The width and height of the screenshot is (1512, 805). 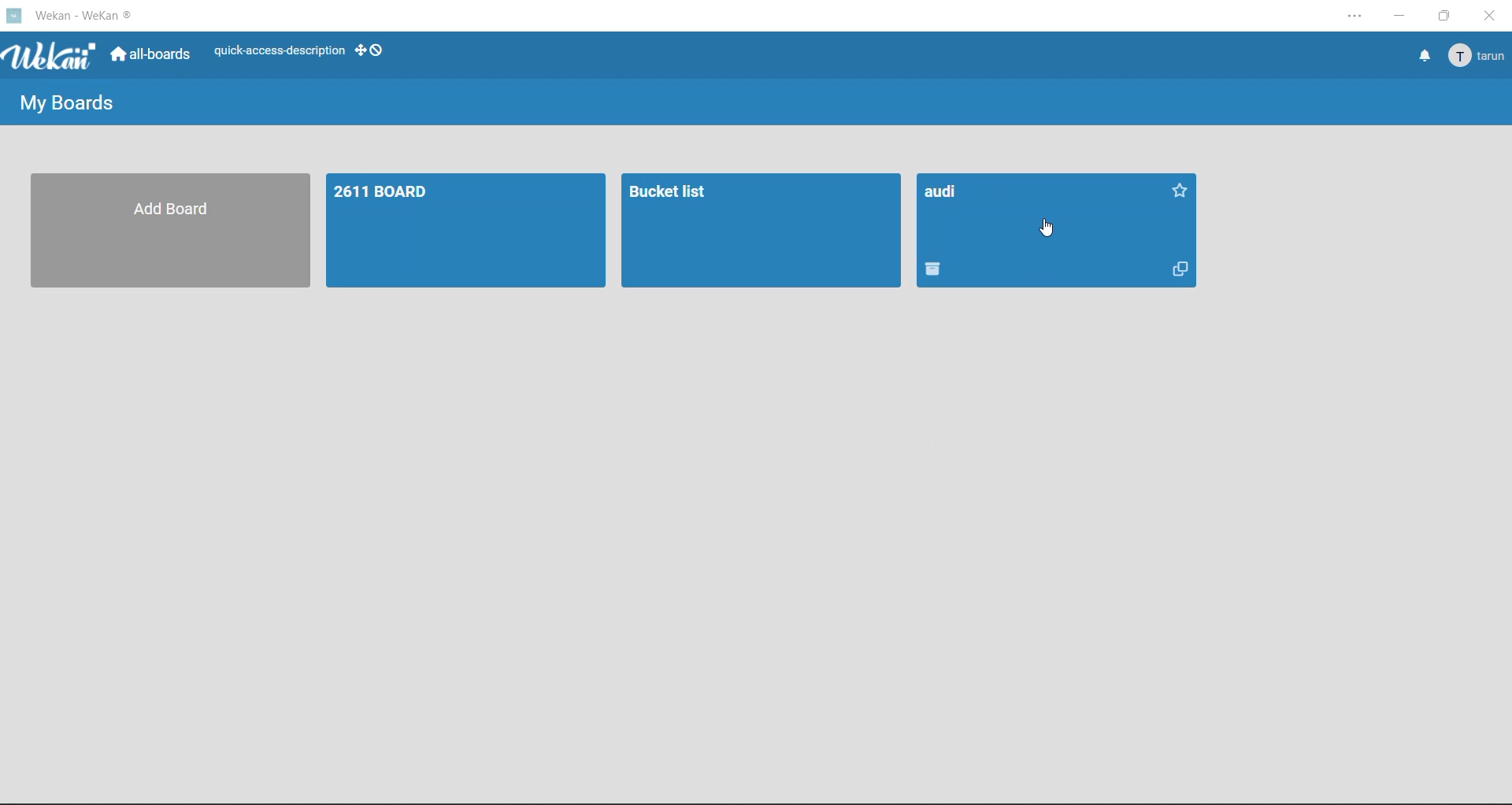 What do you see at coordinates (1180, 268) in the screenshot?
I see `Copy` at bounding box center [1180, 268].